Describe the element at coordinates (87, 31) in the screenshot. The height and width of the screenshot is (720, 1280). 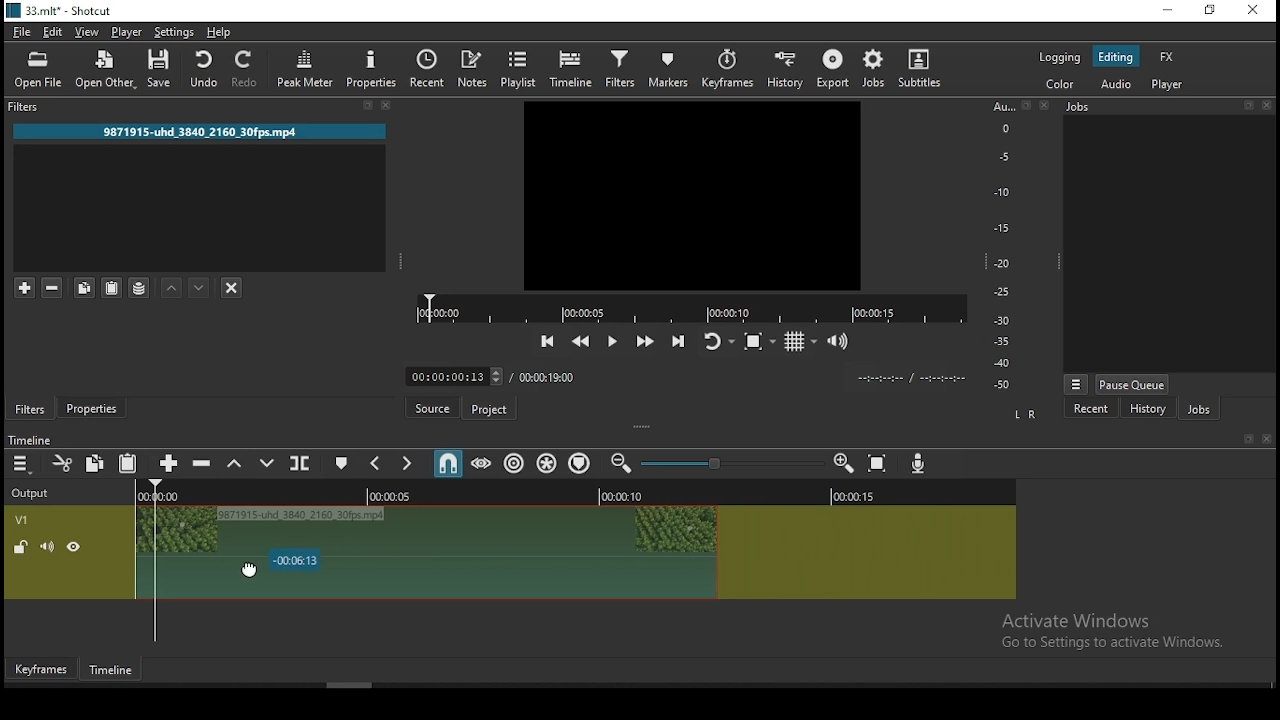
I see `view` at that location.